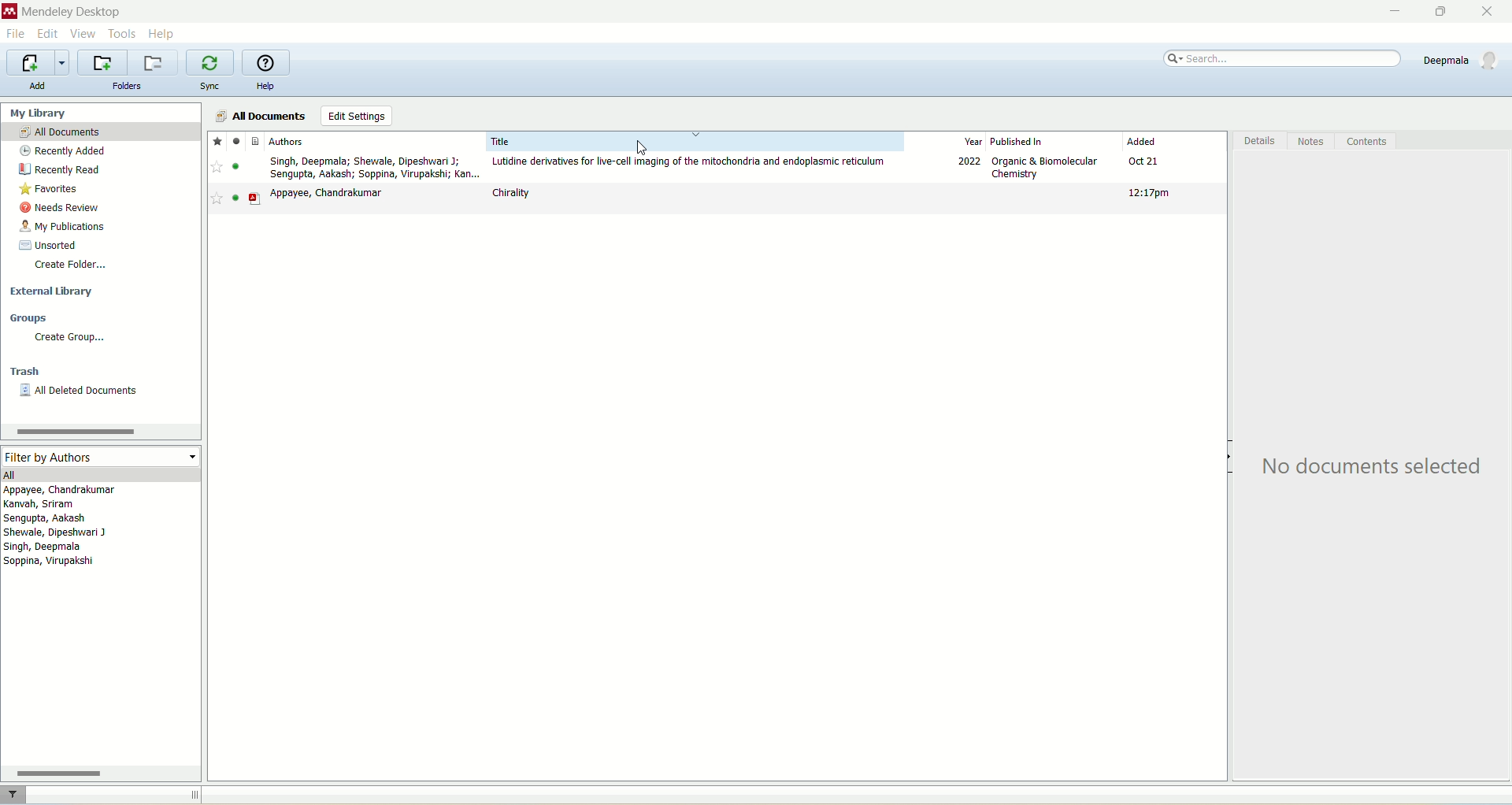 The image size is (1512, 805). Describe the element at coordinates (361, 118) in the screenshot. I see `edit settings` at that location.